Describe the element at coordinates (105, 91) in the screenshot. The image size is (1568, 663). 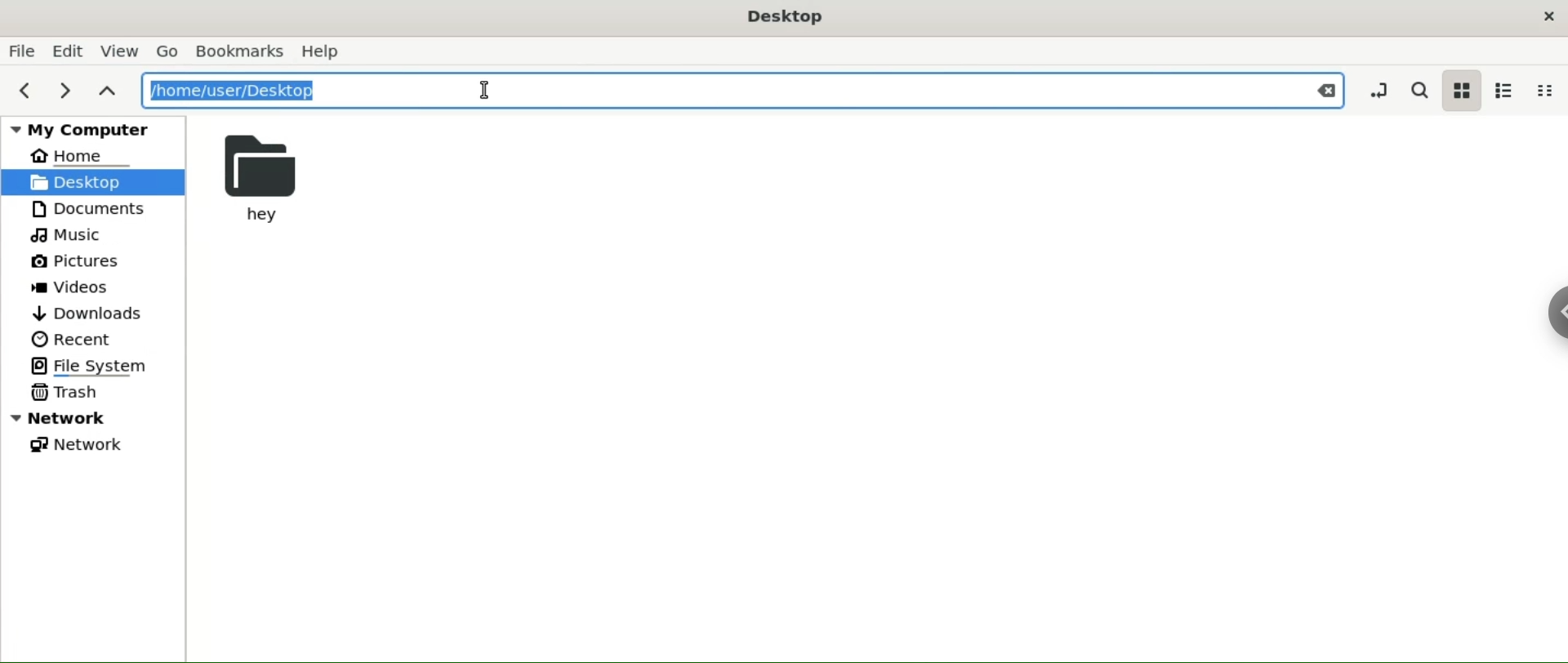
I see `parent holders` at that location.